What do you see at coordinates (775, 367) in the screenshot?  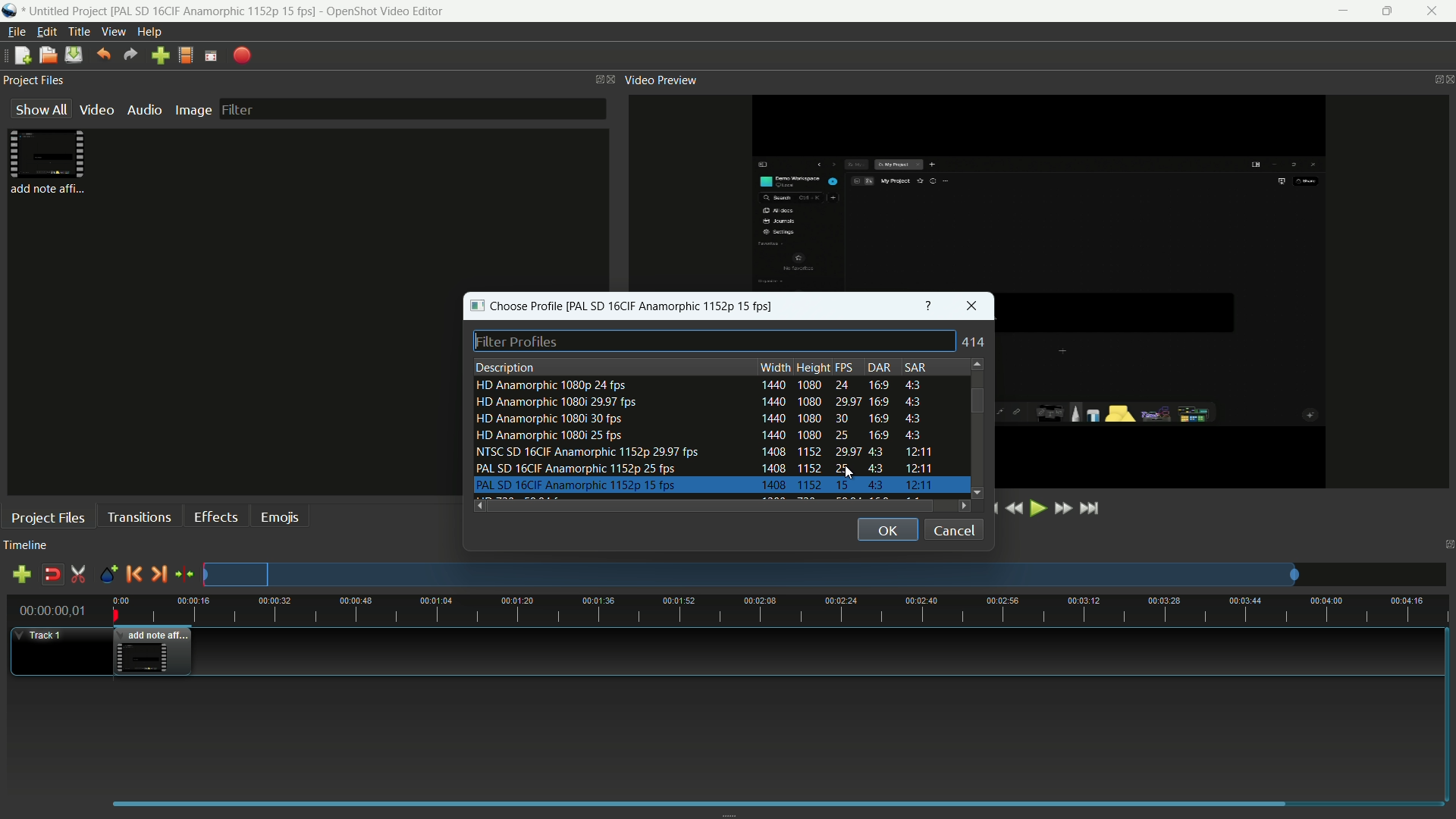 I see `width` at bounding box center [775, 367].